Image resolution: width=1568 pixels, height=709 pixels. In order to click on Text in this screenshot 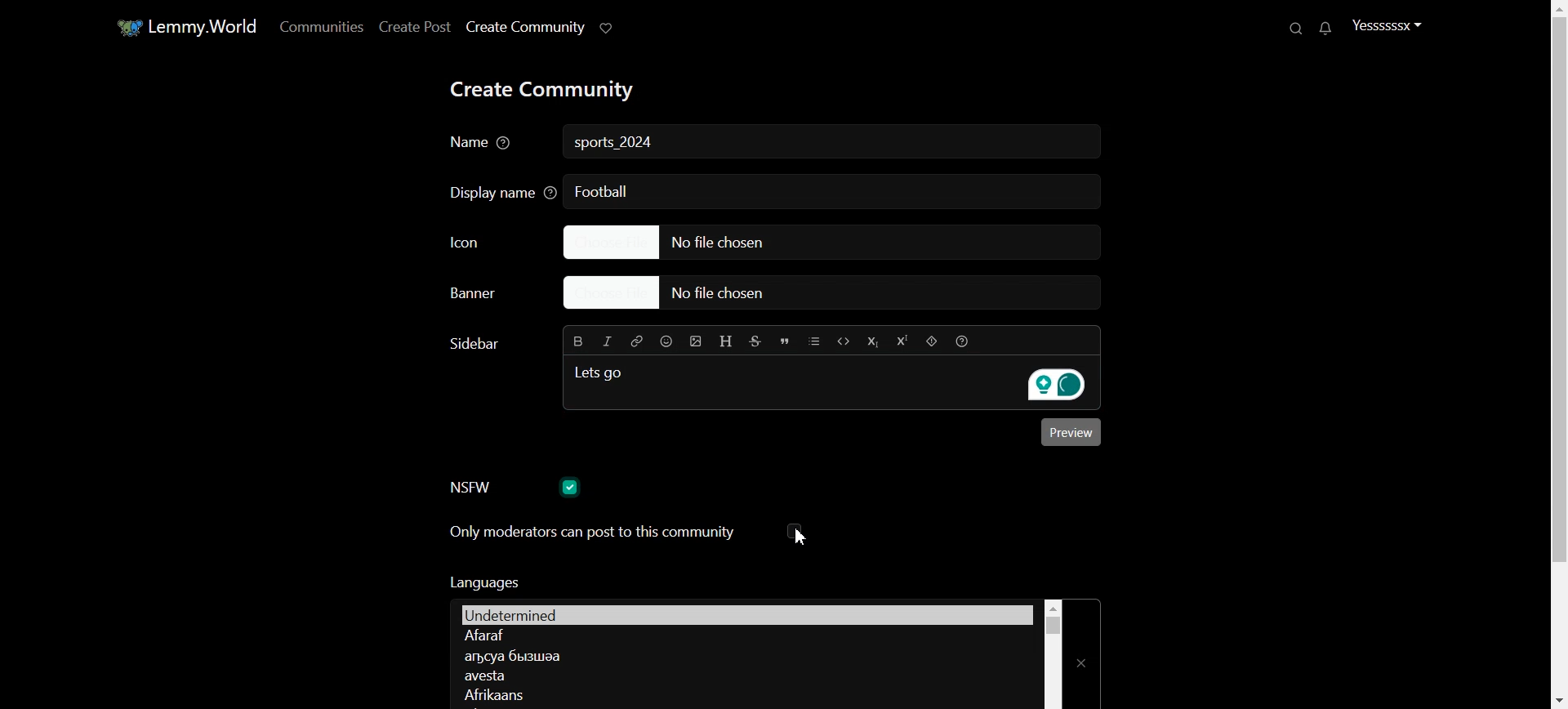, I will do `click(602, 190)`.